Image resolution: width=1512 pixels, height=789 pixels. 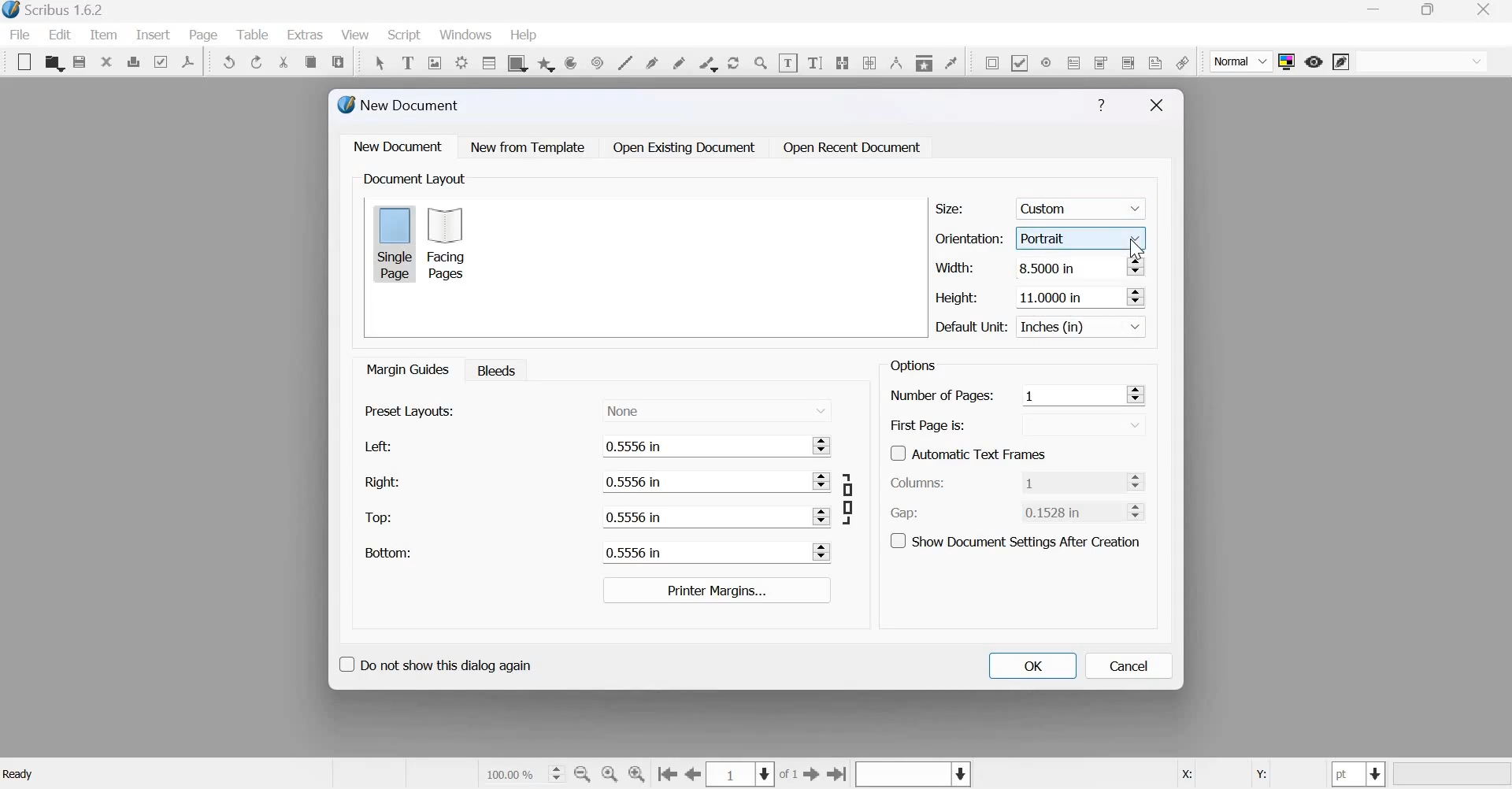 What do you see at coordinates (1157, 106) in the screenshot?
I see `Close` at bounding box center [1157, 106].